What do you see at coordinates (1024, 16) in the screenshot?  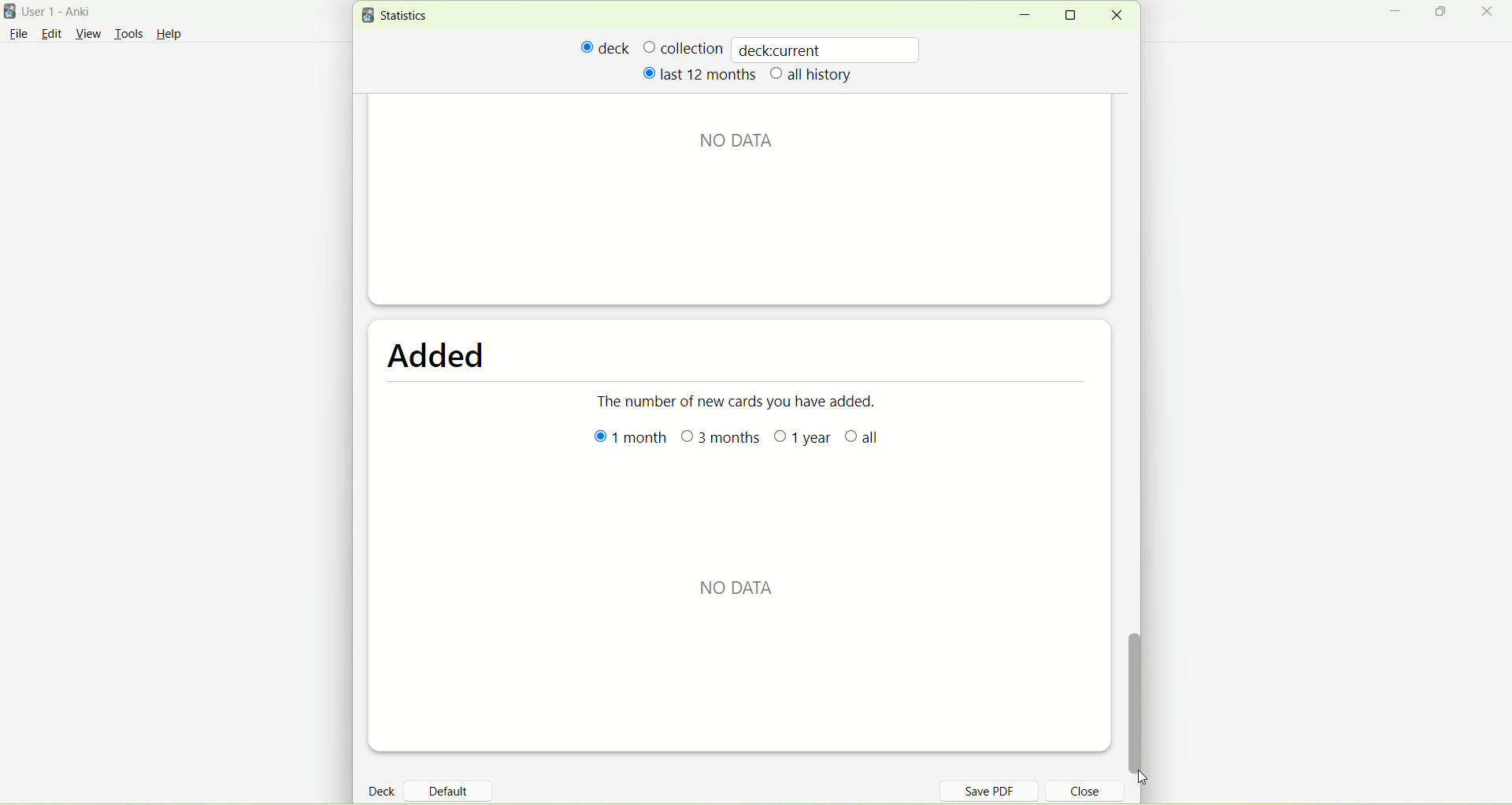 I see `minimize` at bounding box center [1024, 16].